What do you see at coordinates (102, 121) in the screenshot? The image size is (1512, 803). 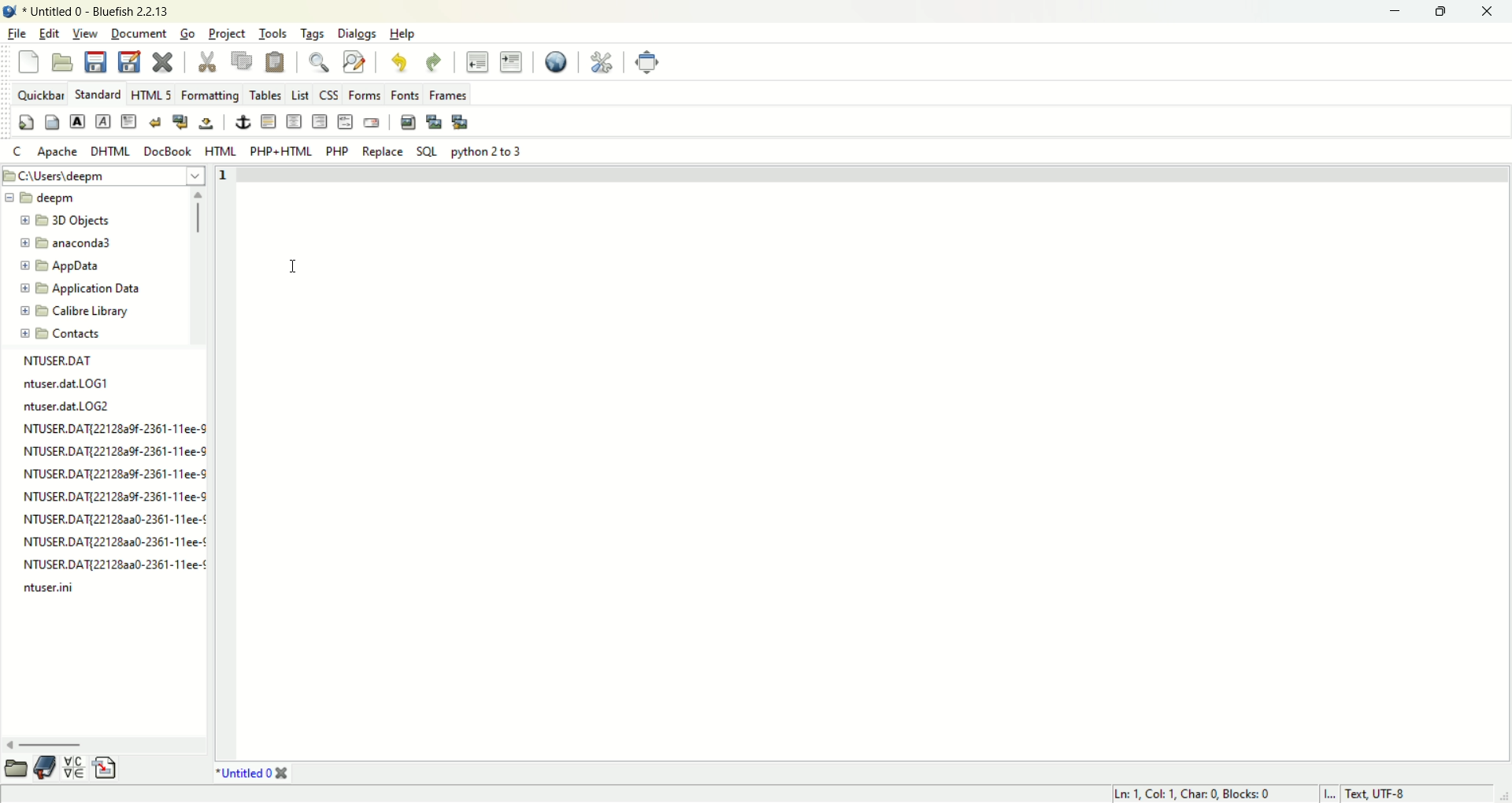 I see `emphasis` at bounding box center [102, 121].